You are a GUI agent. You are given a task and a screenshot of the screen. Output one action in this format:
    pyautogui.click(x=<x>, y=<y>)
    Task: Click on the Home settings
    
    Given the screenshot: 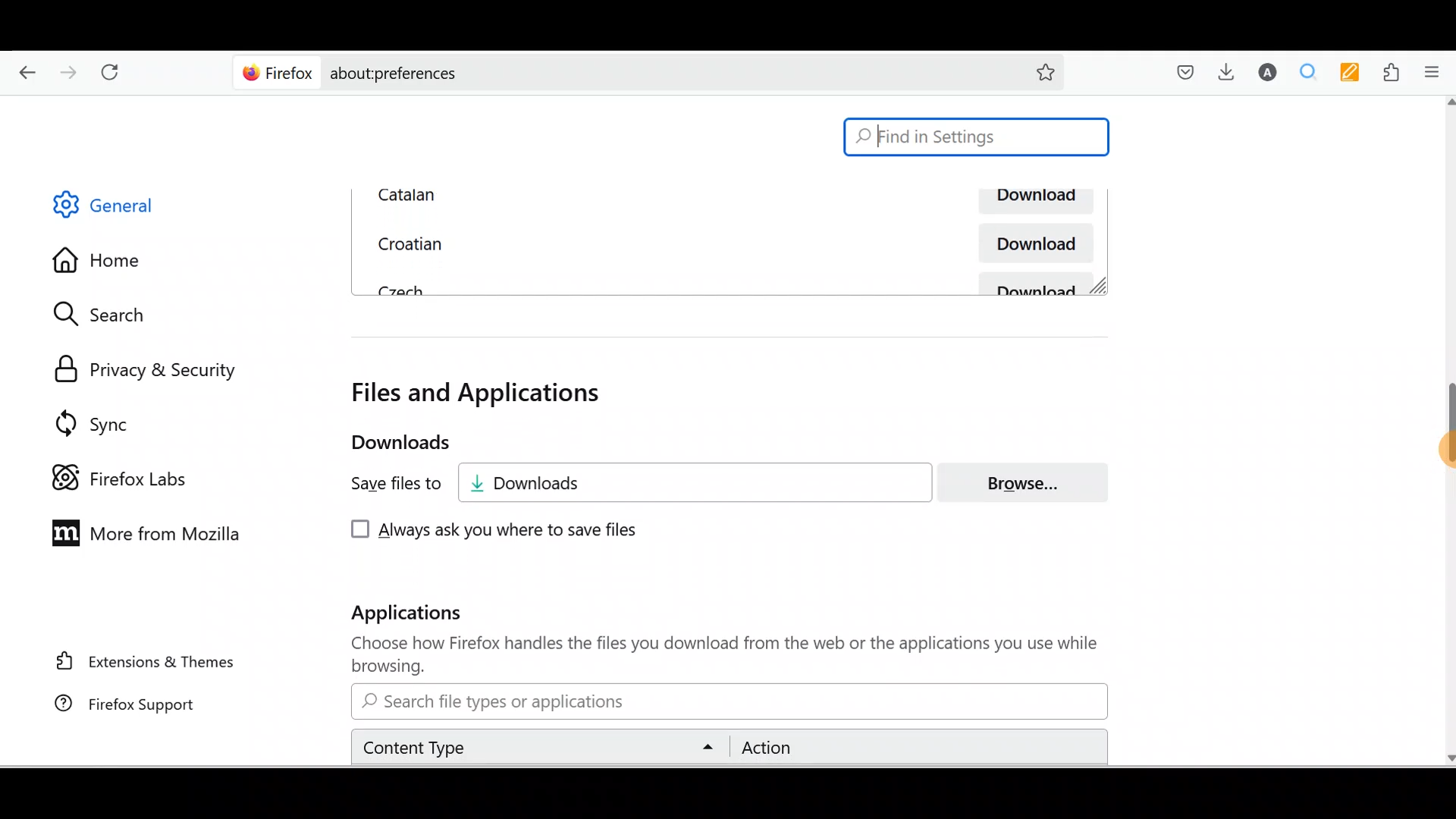 What is the action you would take?
    pyautogui.click(x=98, y=258)
    